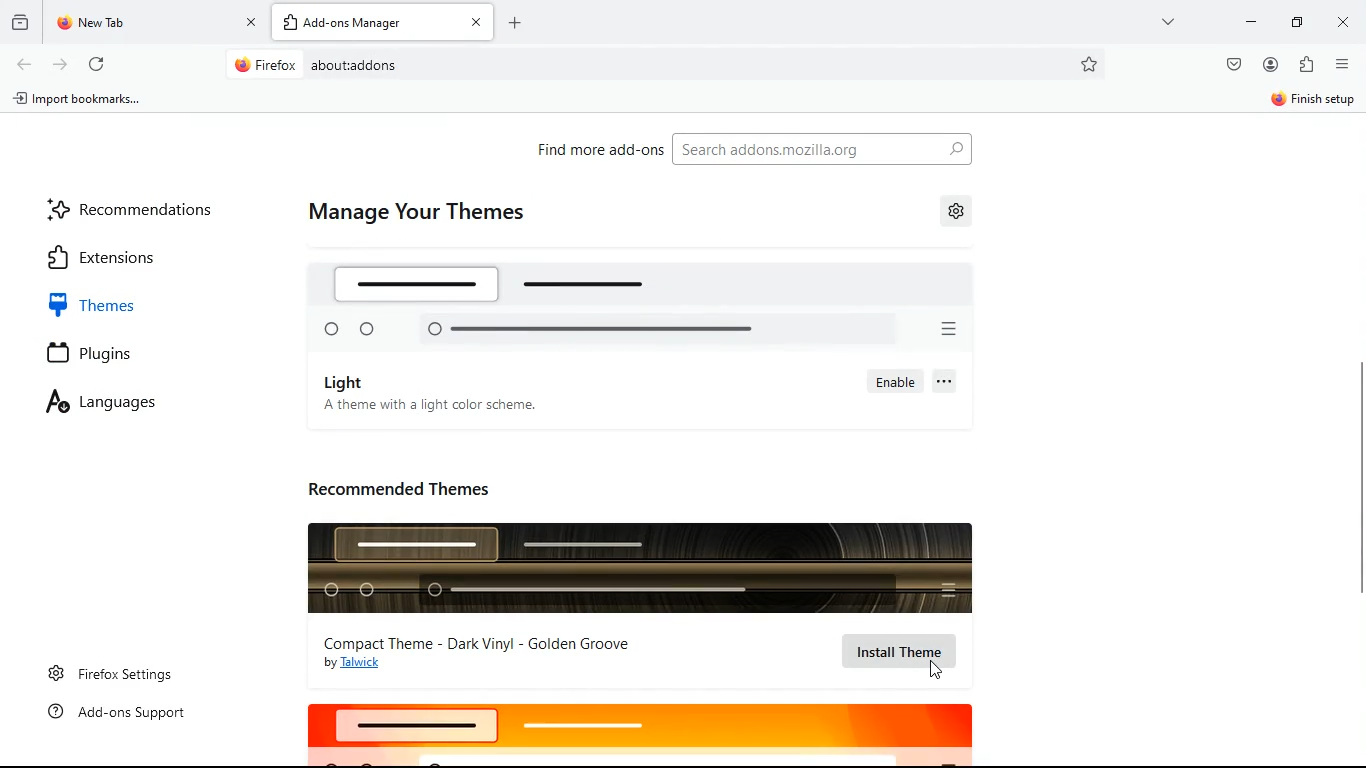  I want to click on add-ons support, so click(123, 713).